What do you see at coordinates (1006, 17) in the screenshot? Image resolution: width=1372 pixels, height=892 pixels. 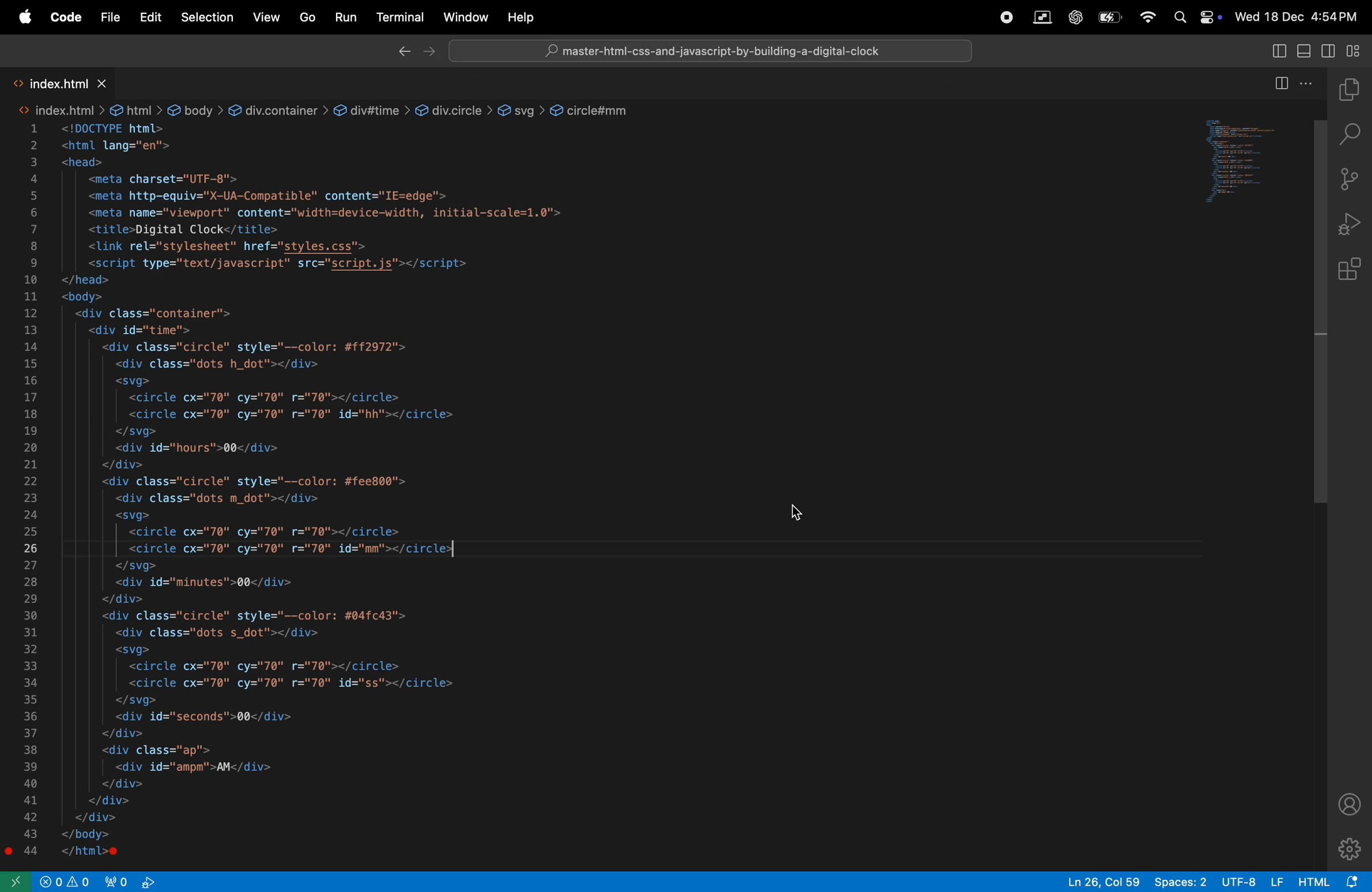 I see `record` at bounding box center [1006, 17].